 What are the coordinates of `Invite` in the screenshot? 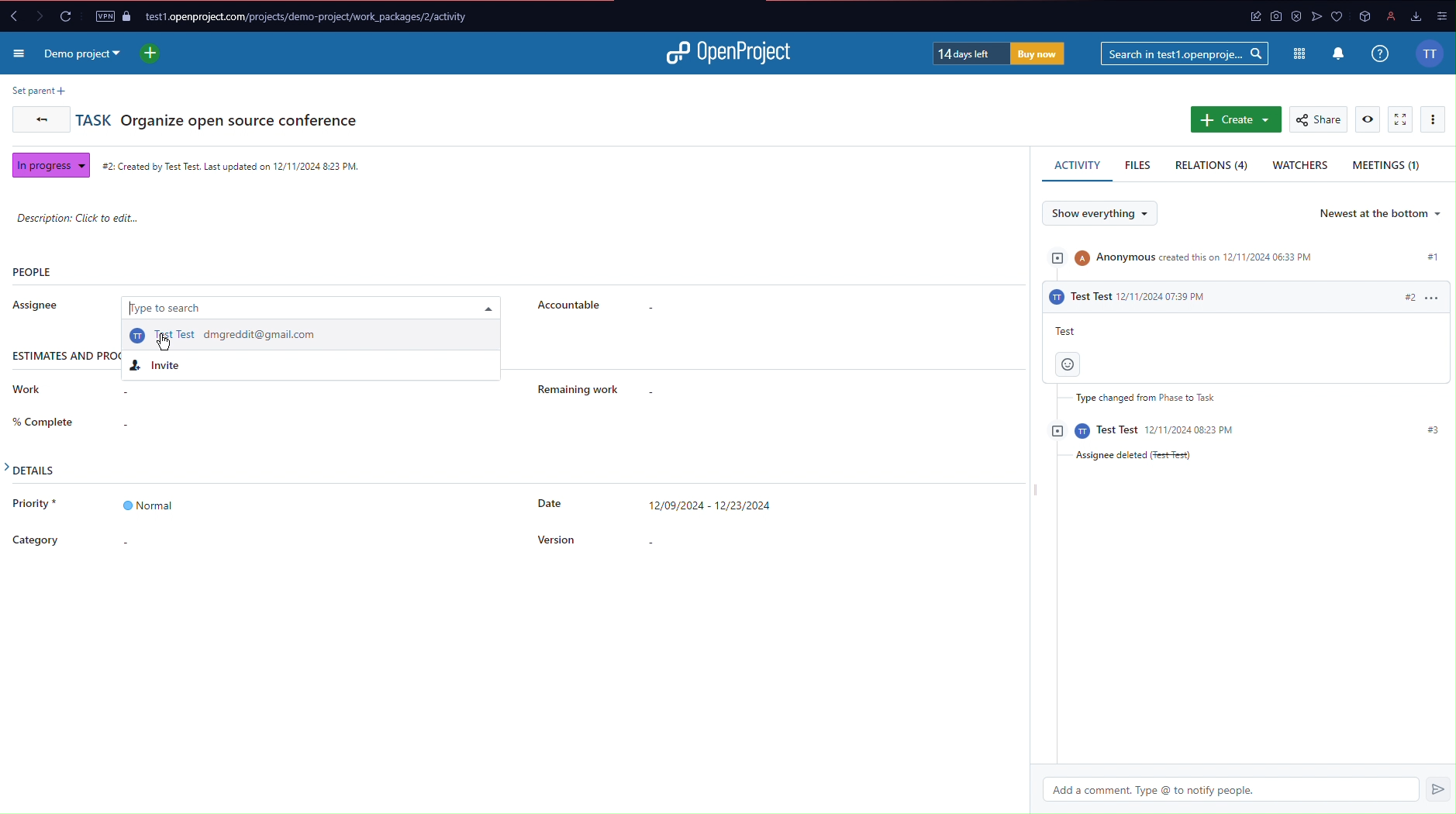 It's located at (174, 367).